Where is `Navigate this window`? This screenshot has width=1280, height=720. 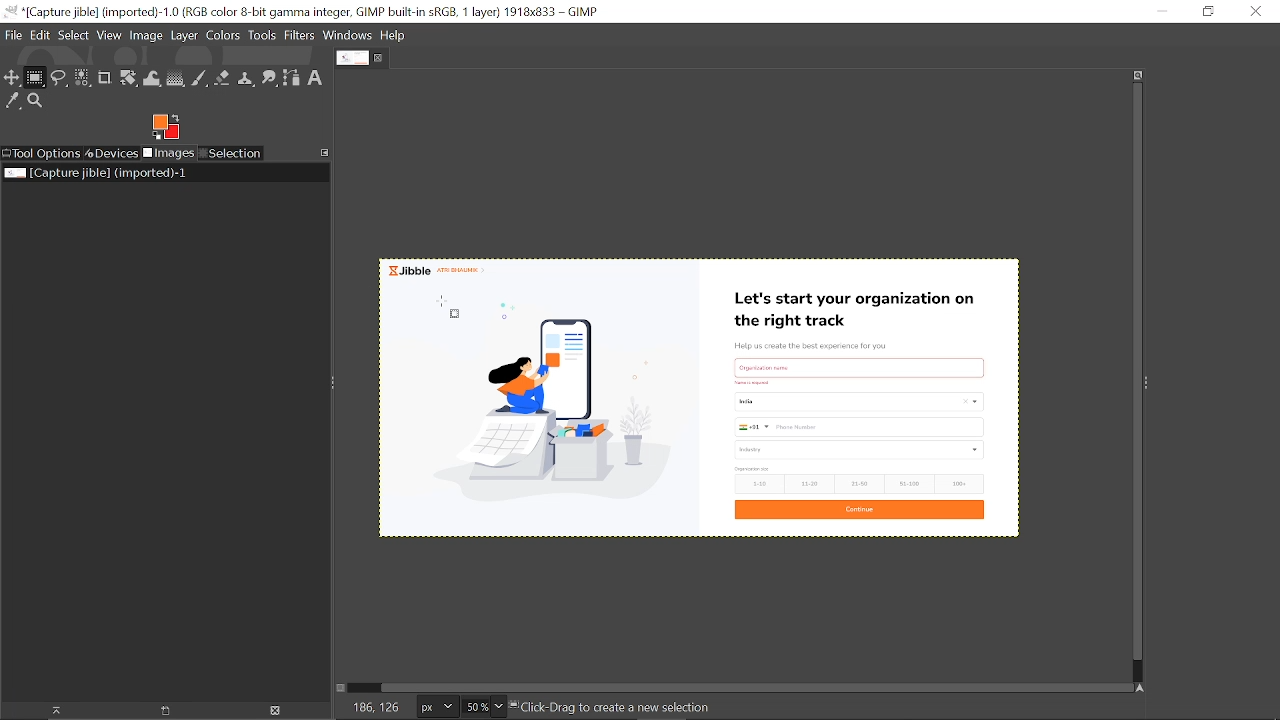
Navigate this window is located at coordinates (1139, 687).